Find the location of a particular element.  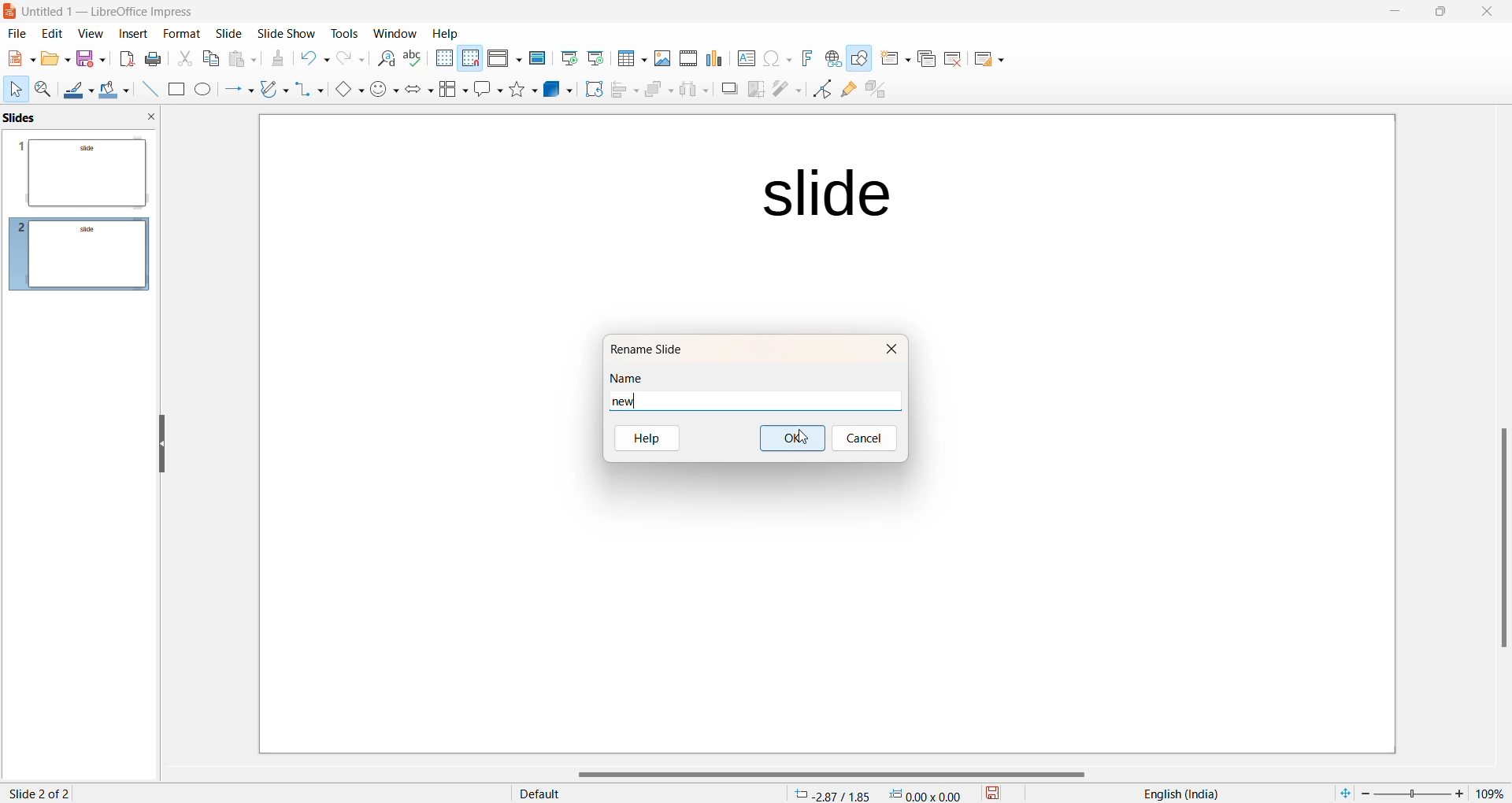

Insert font work text is located at coordinates (806, 58).